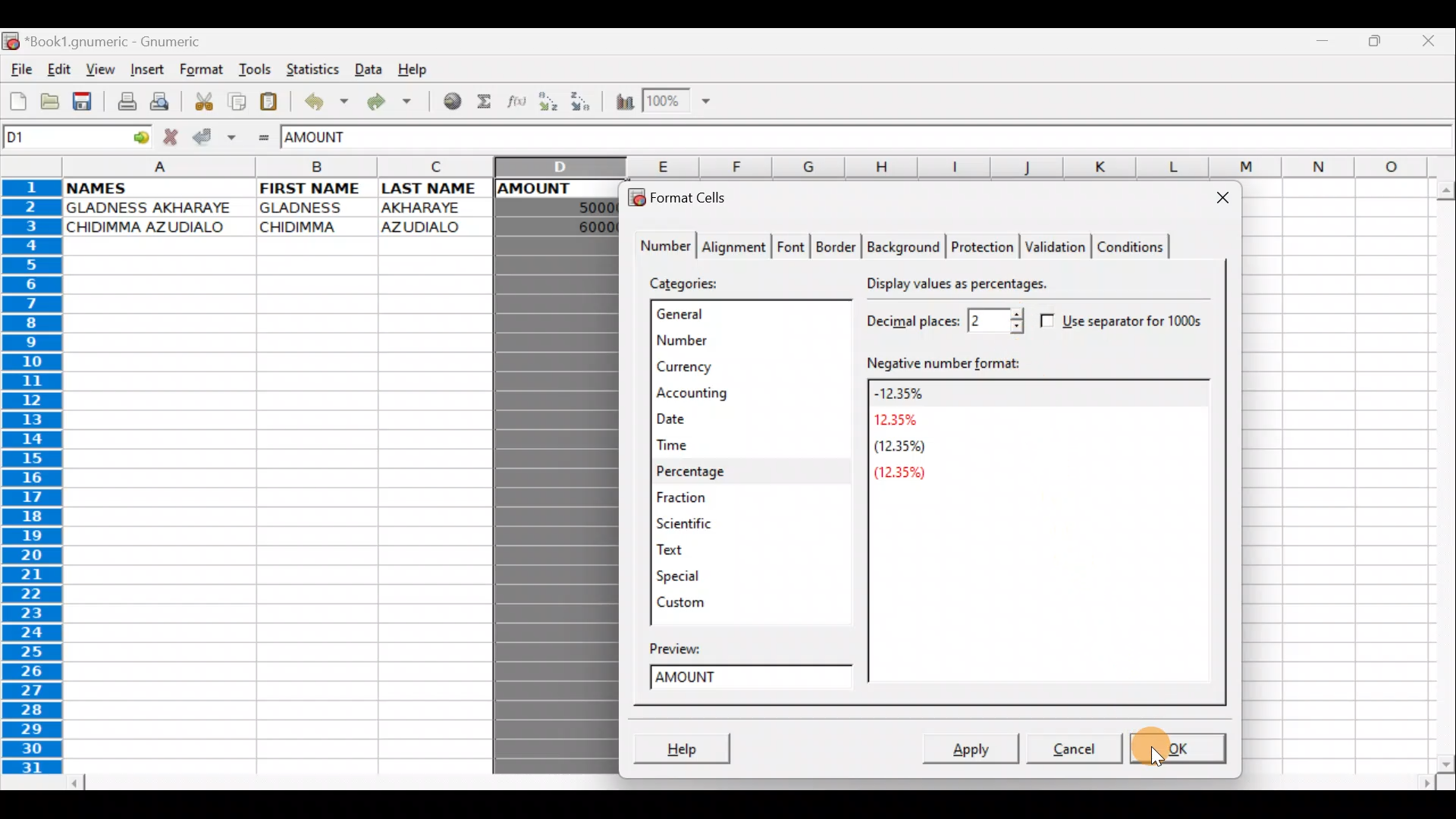 The height and width of the screenshot is (819, 1456). I want to click on Number, so click(736, 337).